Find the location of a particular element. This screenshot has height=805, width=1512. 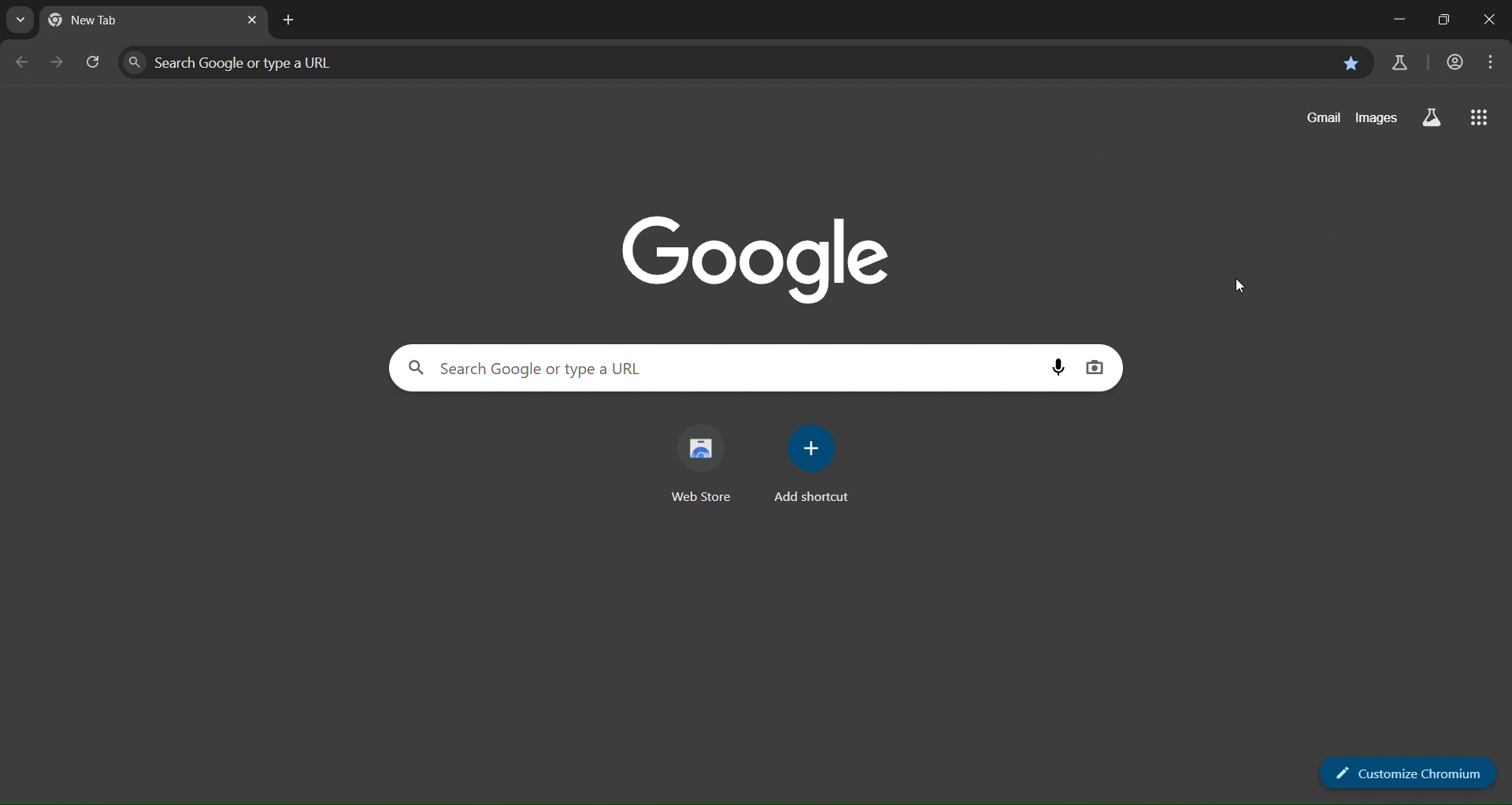

minimize is located at coordinates (1397, 17).